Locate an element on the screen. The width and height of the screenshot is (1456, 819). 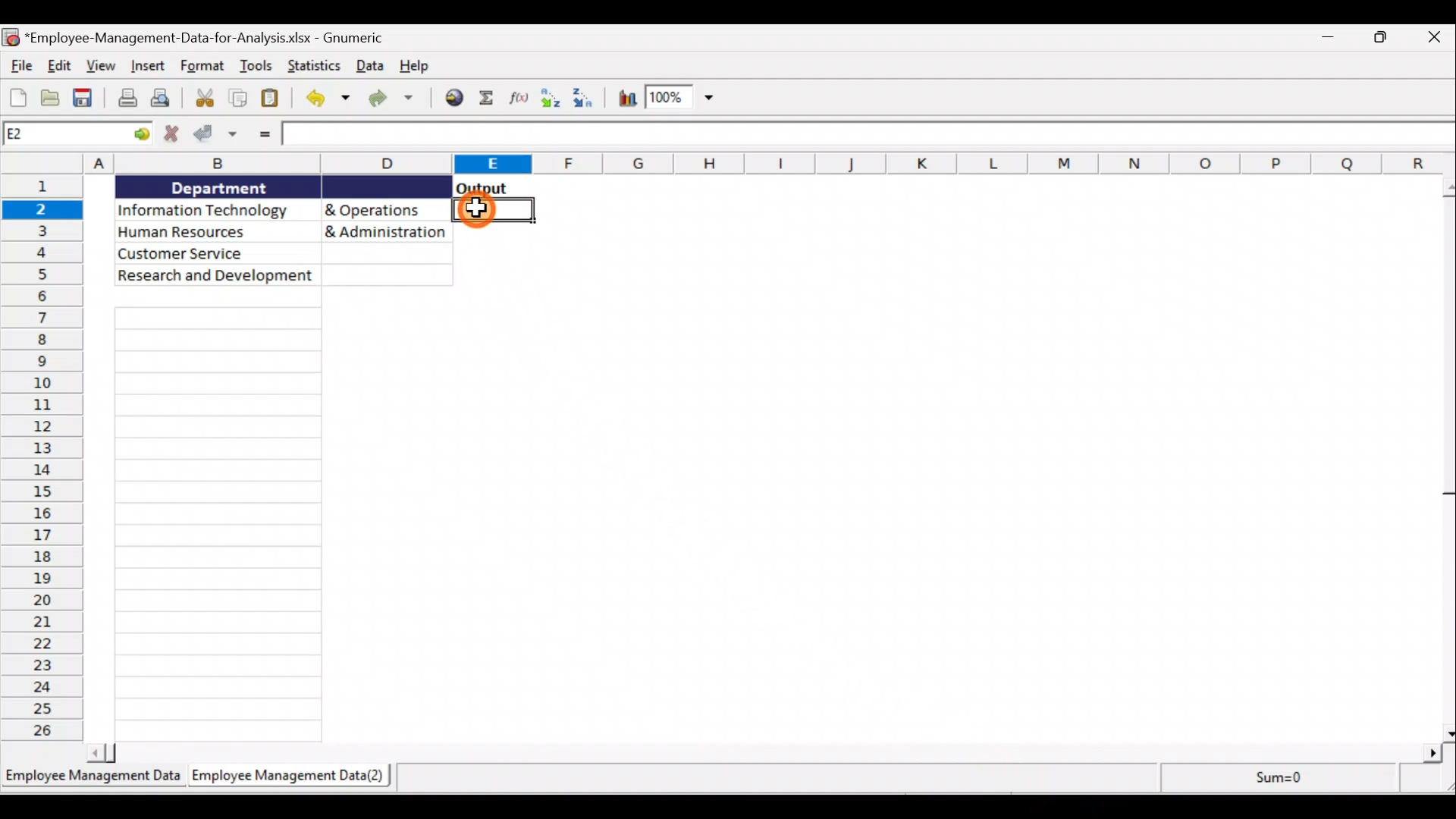
output is located at coordinates (482, 188).